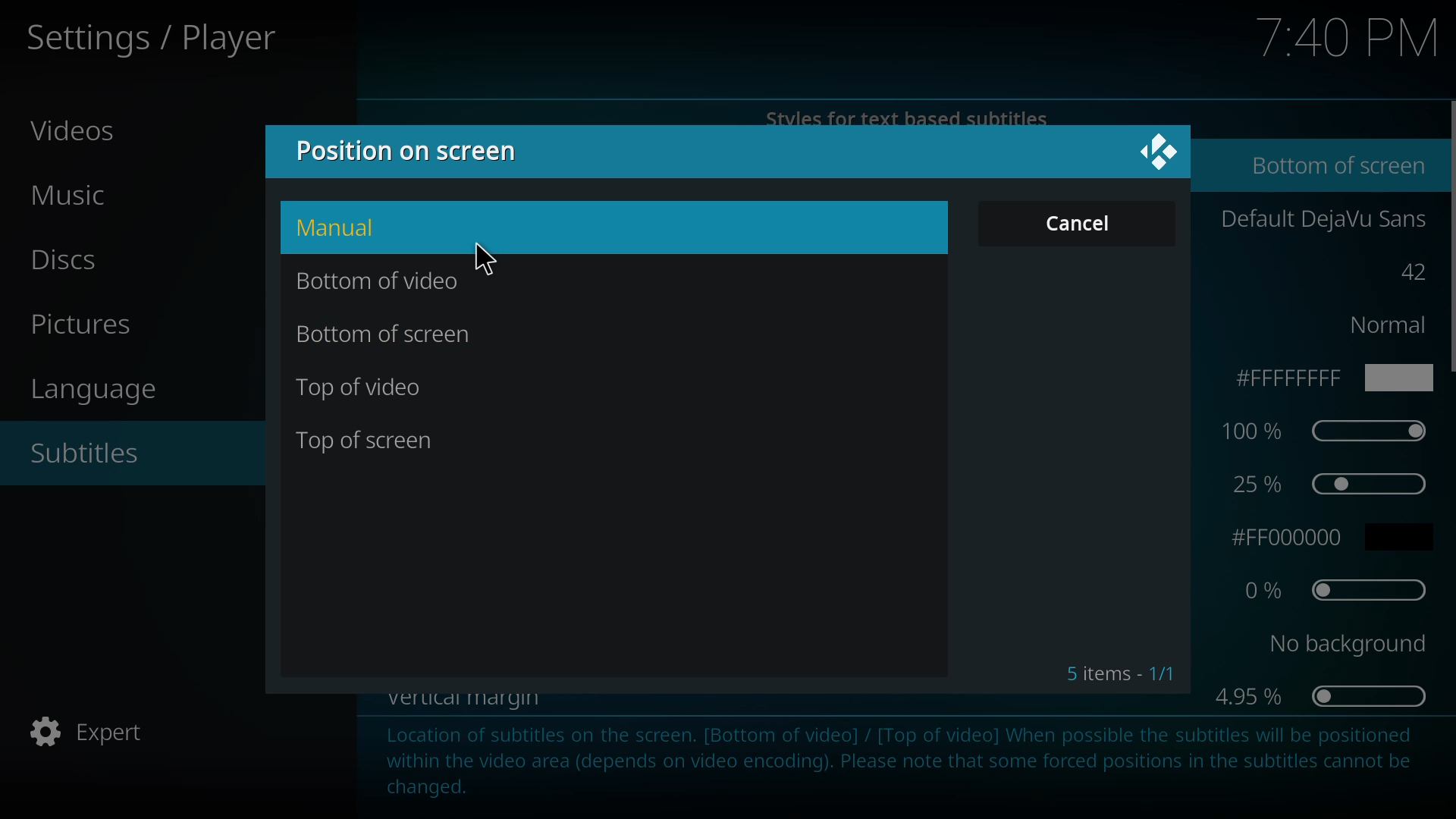  I want to click on top of video, so click(370, 390).